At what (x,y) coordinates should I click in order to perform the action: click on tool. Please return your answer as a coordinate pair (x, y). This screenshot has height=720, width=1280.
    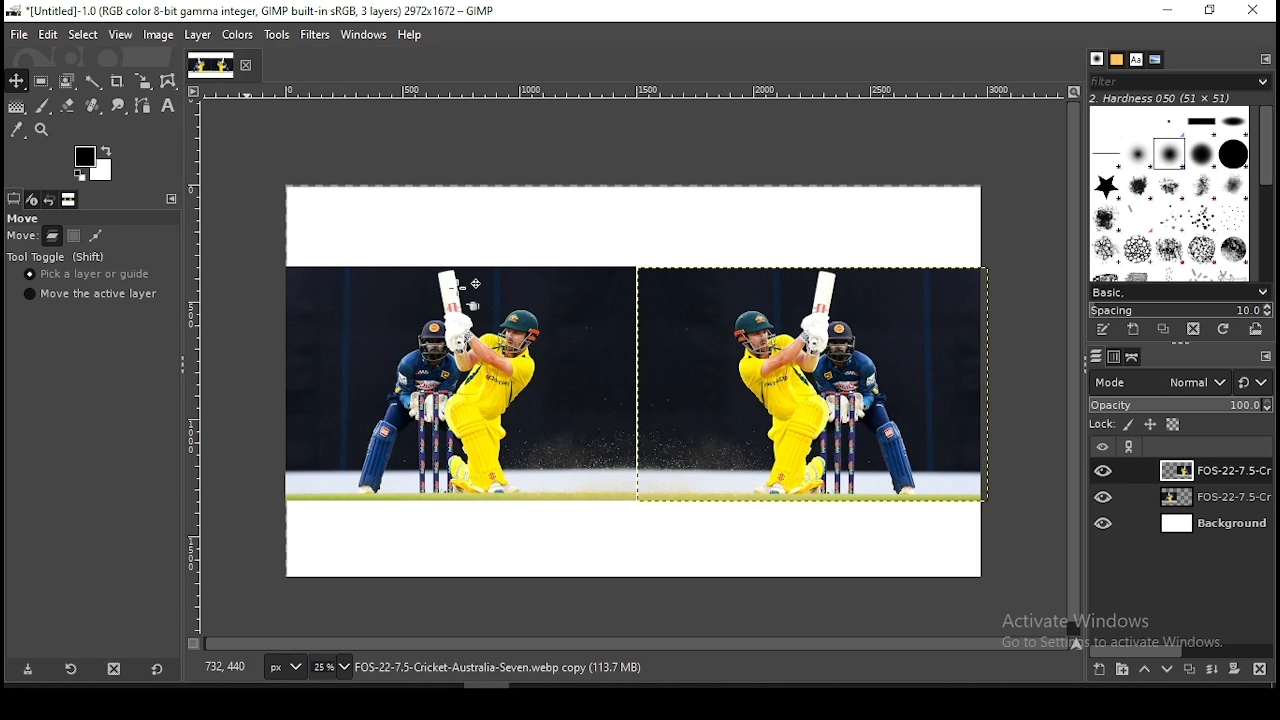
    Looking at the image, I should click on (1131, 447).